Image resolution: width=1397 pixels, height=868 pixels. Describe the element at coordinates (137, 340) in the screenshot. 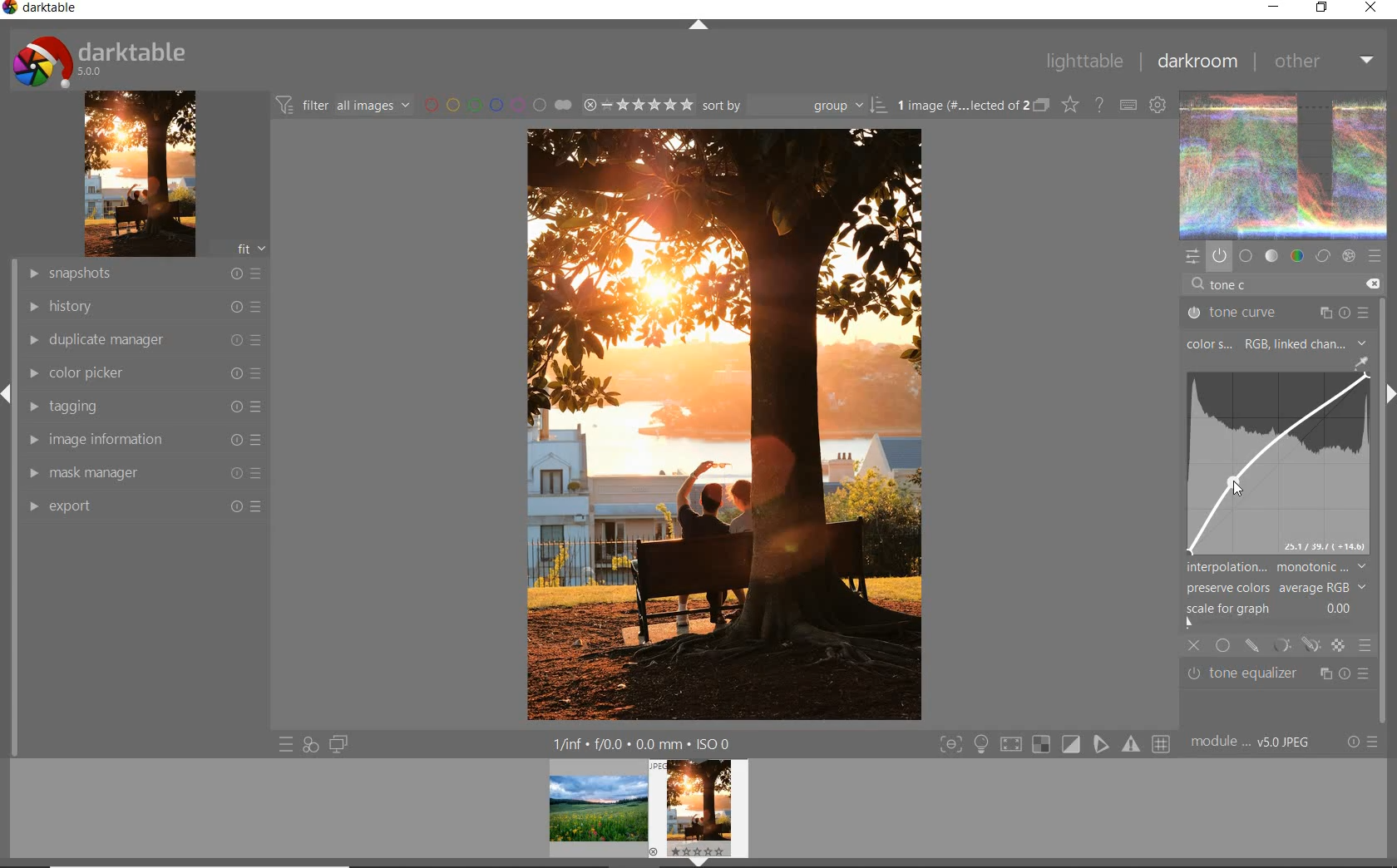

I see `duplicate manager` at that location.